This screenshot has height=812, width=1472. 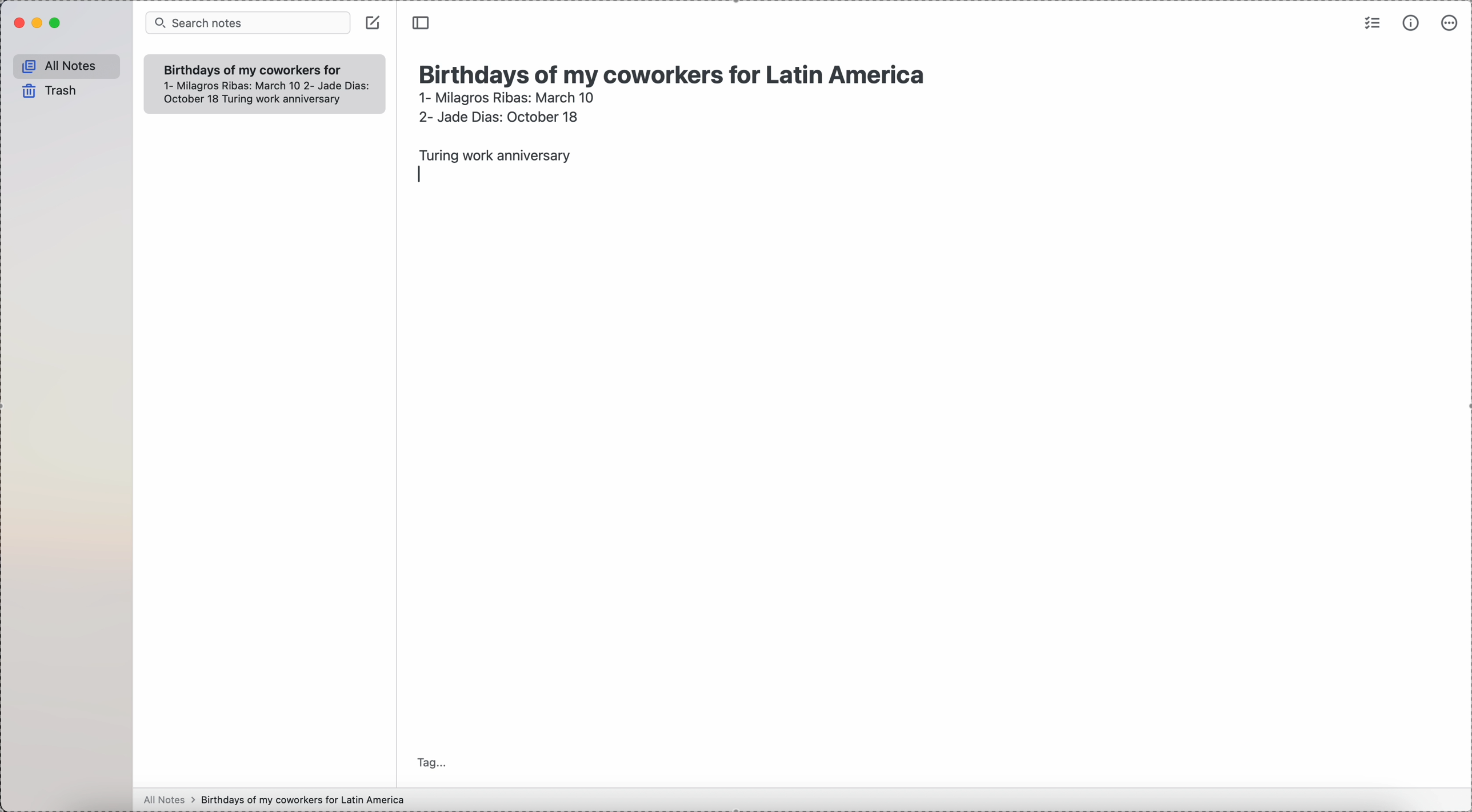 I want to click on tag, so click(x=433, y=762).